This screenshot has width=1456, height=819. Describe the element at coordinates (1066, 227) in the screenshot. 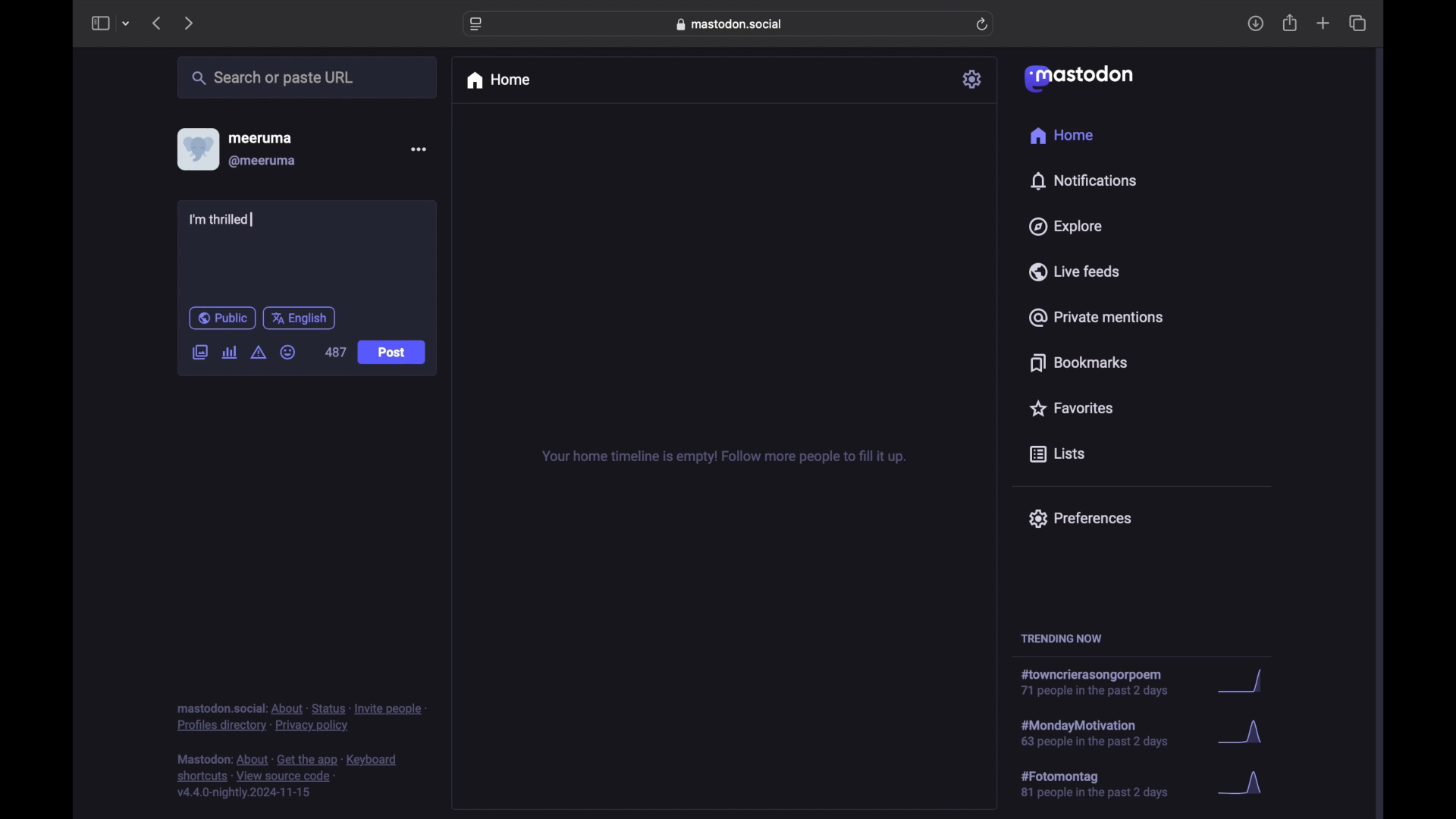

I see `explore` at that location.